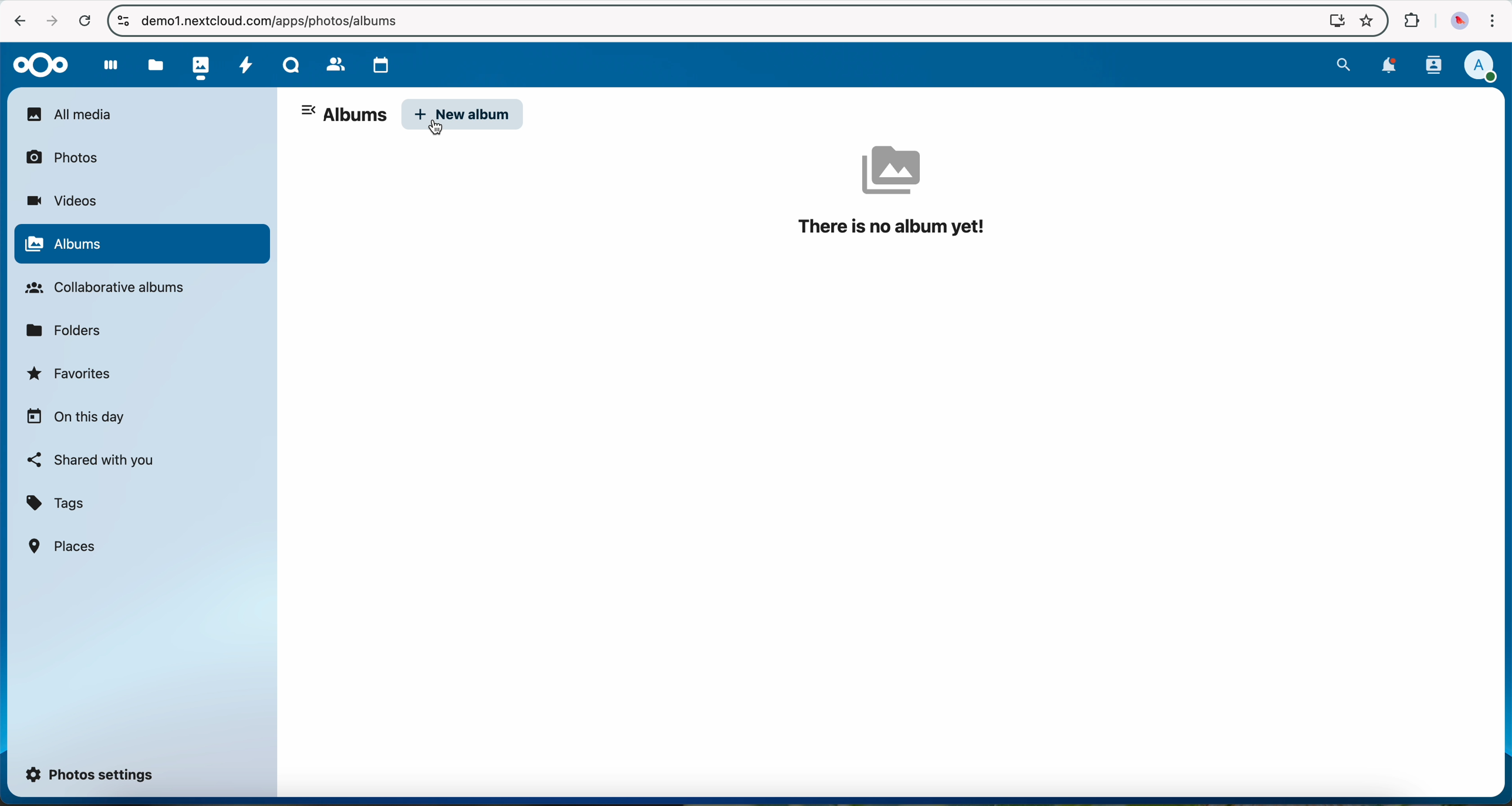  What do you see at coordinates (1343, 63) in the screenshot?
I see `search` at bounding box center [1343, 63].